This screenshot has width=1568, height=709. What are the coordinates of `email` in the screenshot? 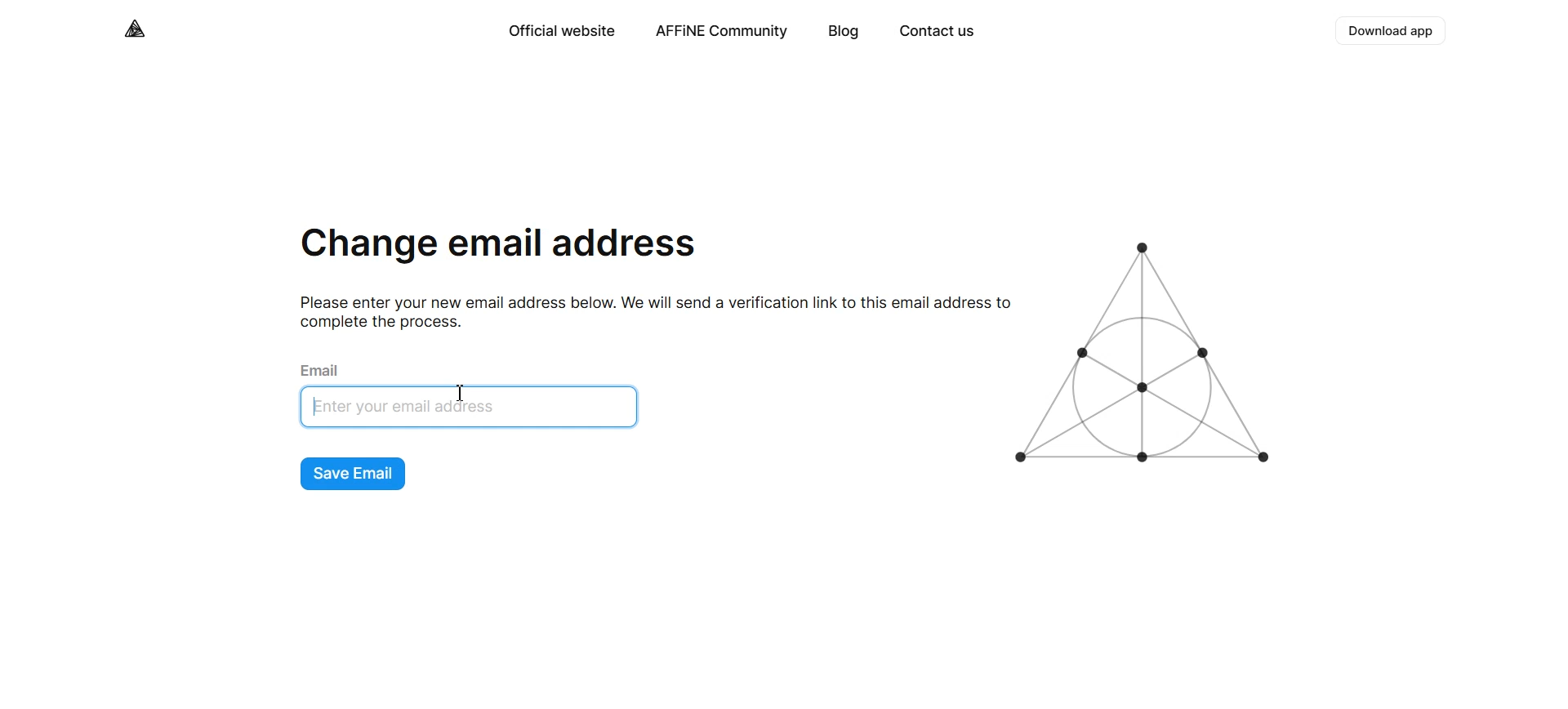 It's located at (323, 368).